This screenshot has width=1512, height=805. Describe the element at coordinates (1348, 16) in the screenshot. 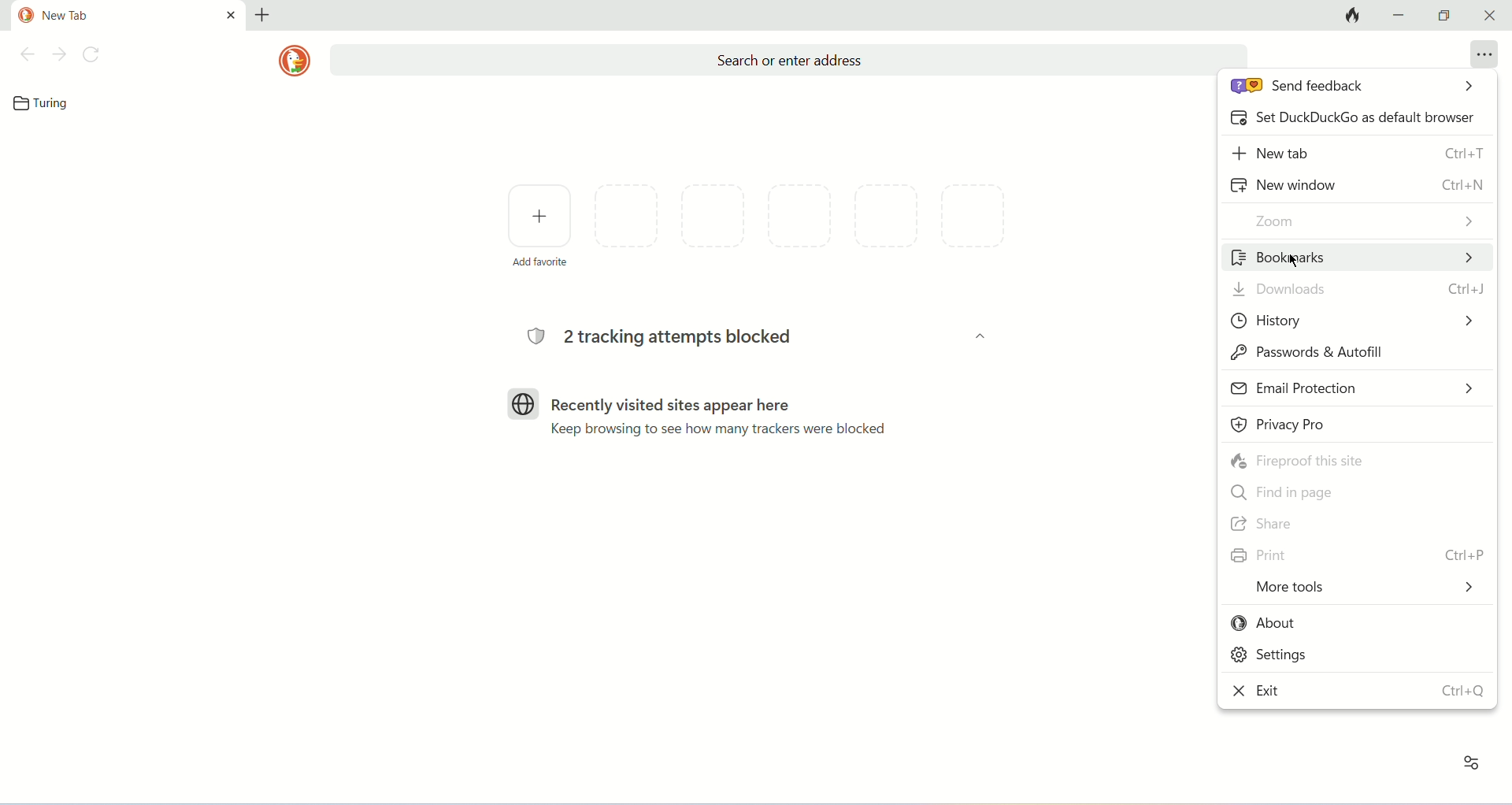

I see `close tabs and clear data` at that location.